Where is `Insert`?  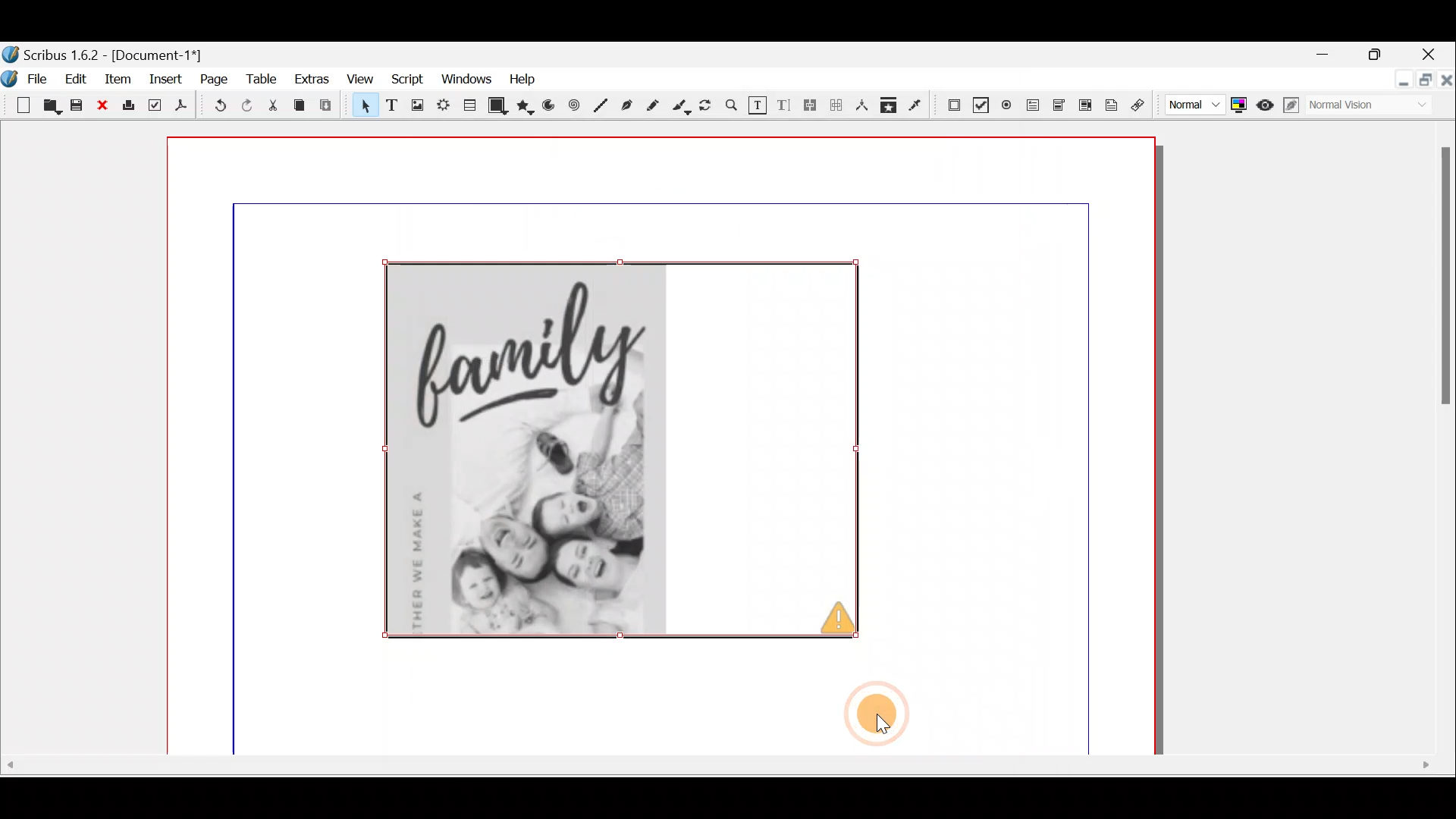
Insert is located at coordinates (165, 83).